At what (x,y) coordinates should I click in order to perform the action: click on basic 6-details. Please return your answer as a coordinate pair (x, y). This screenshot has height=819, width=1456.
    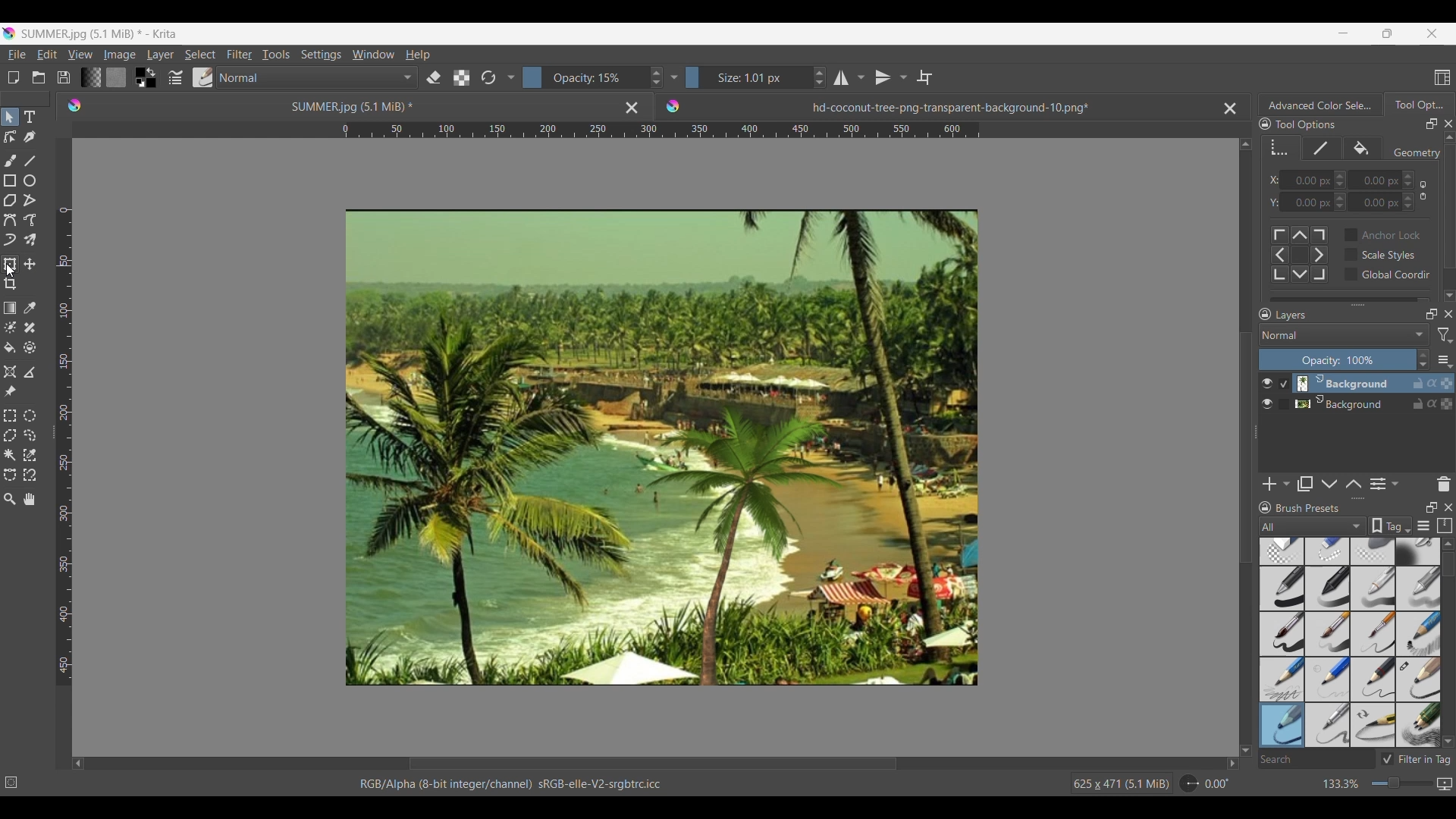
    Looking at the image, I should click on (1375, 634).